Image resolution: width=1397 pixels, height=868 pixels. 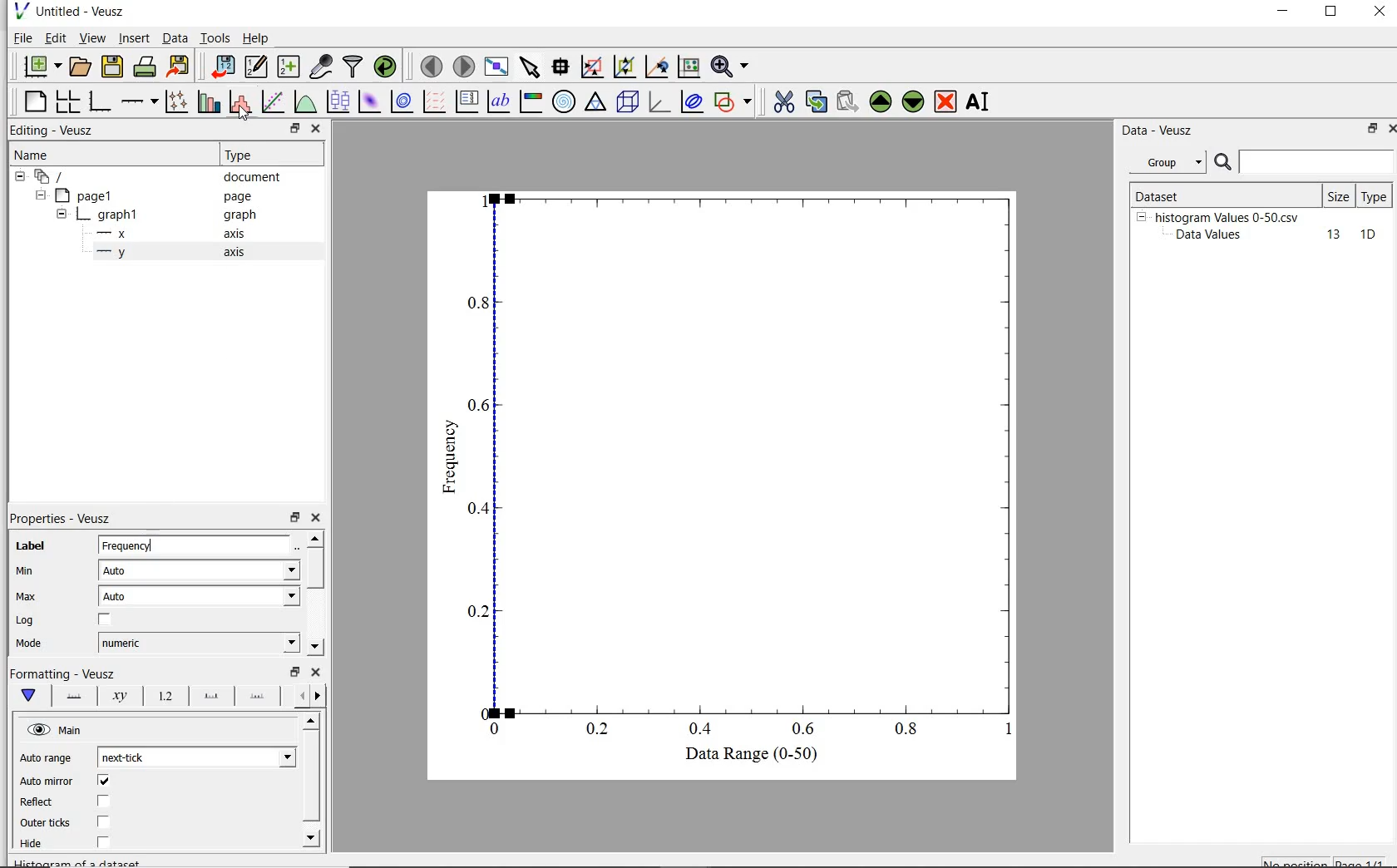 I want to click on view plot fullscreen, so click(x=496, y=65).